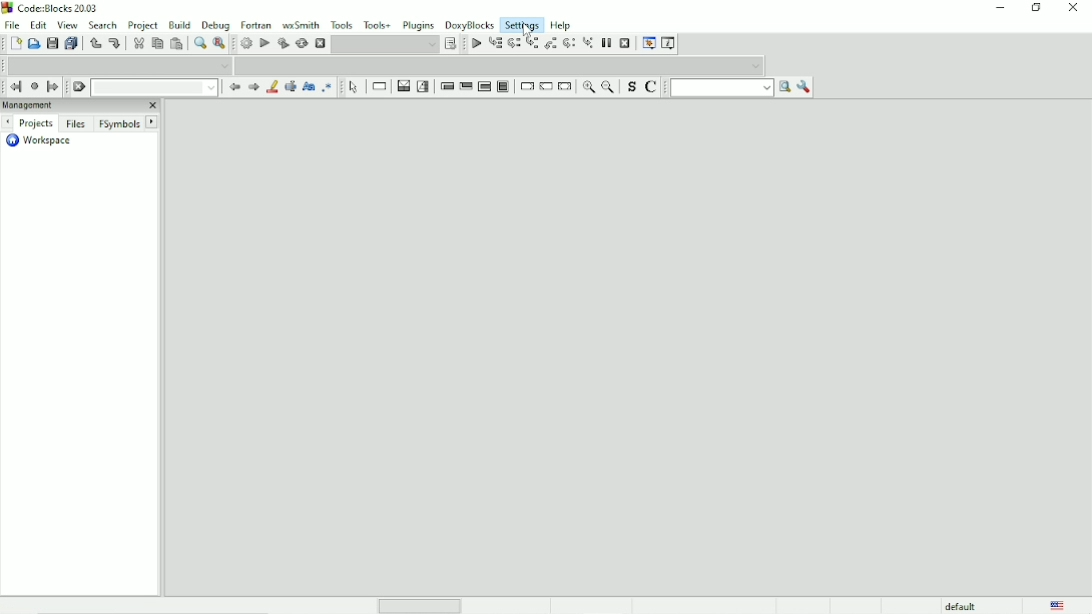 The image size is (1092, 614). What do you see at coordinates (341, 24) in the screenshot?
I see `Tools` at bounding box center [341, 24].